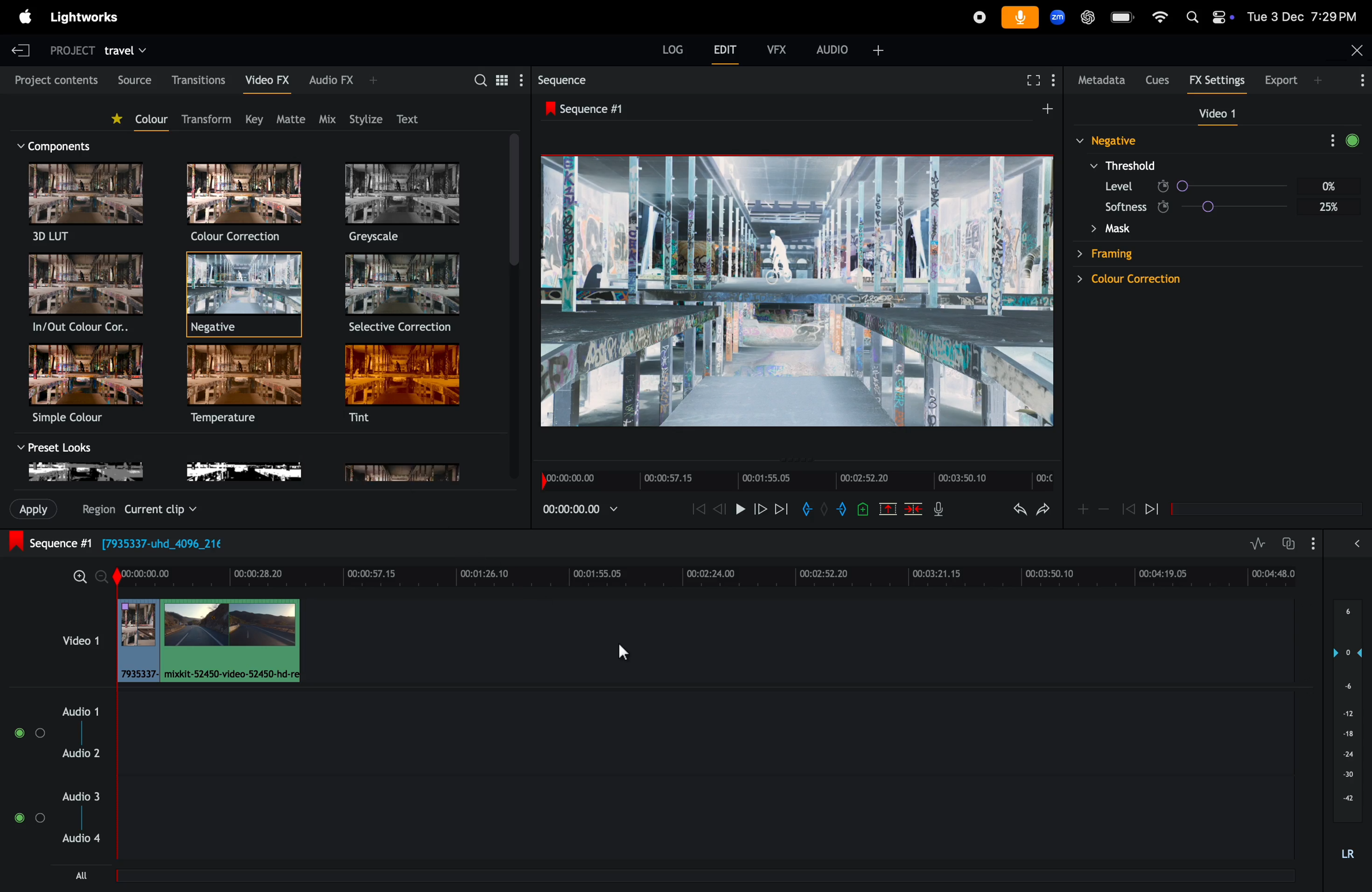  Describe the element at coordinates (413, 119) in the screenshot. I see `Text` at that location.